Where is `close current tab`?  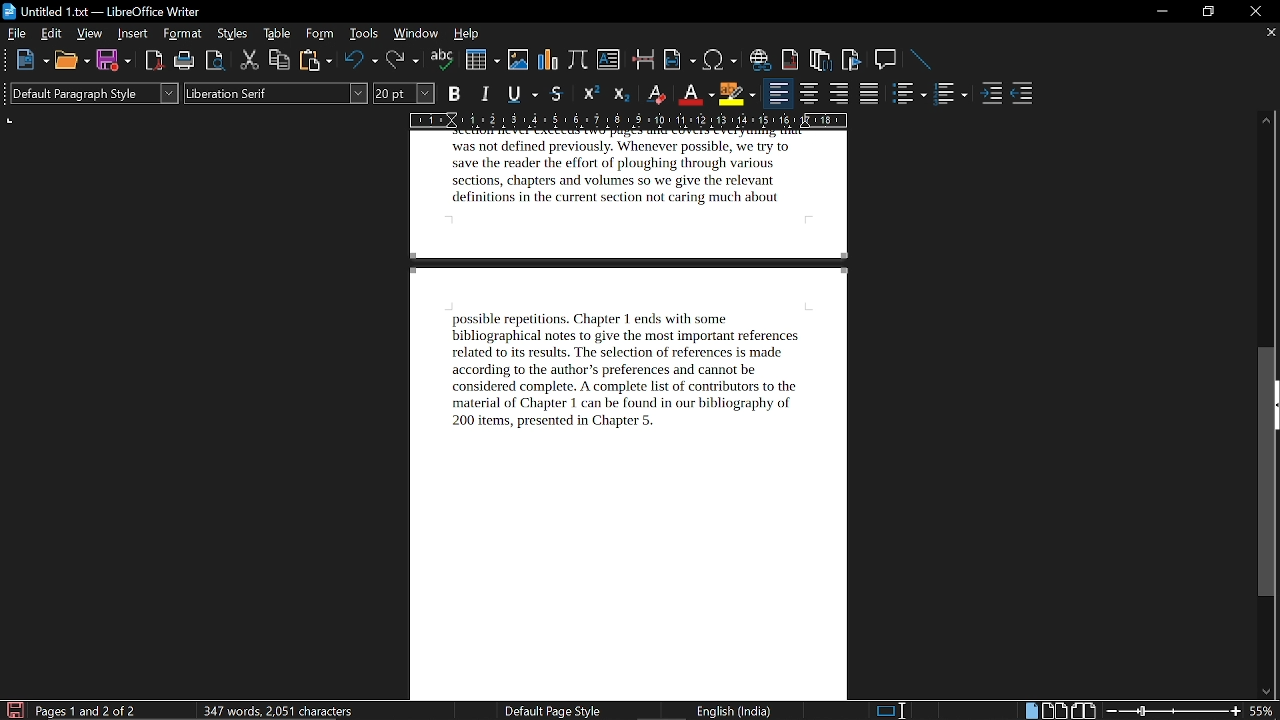
close current tab is located at coordinates (1269, 35).